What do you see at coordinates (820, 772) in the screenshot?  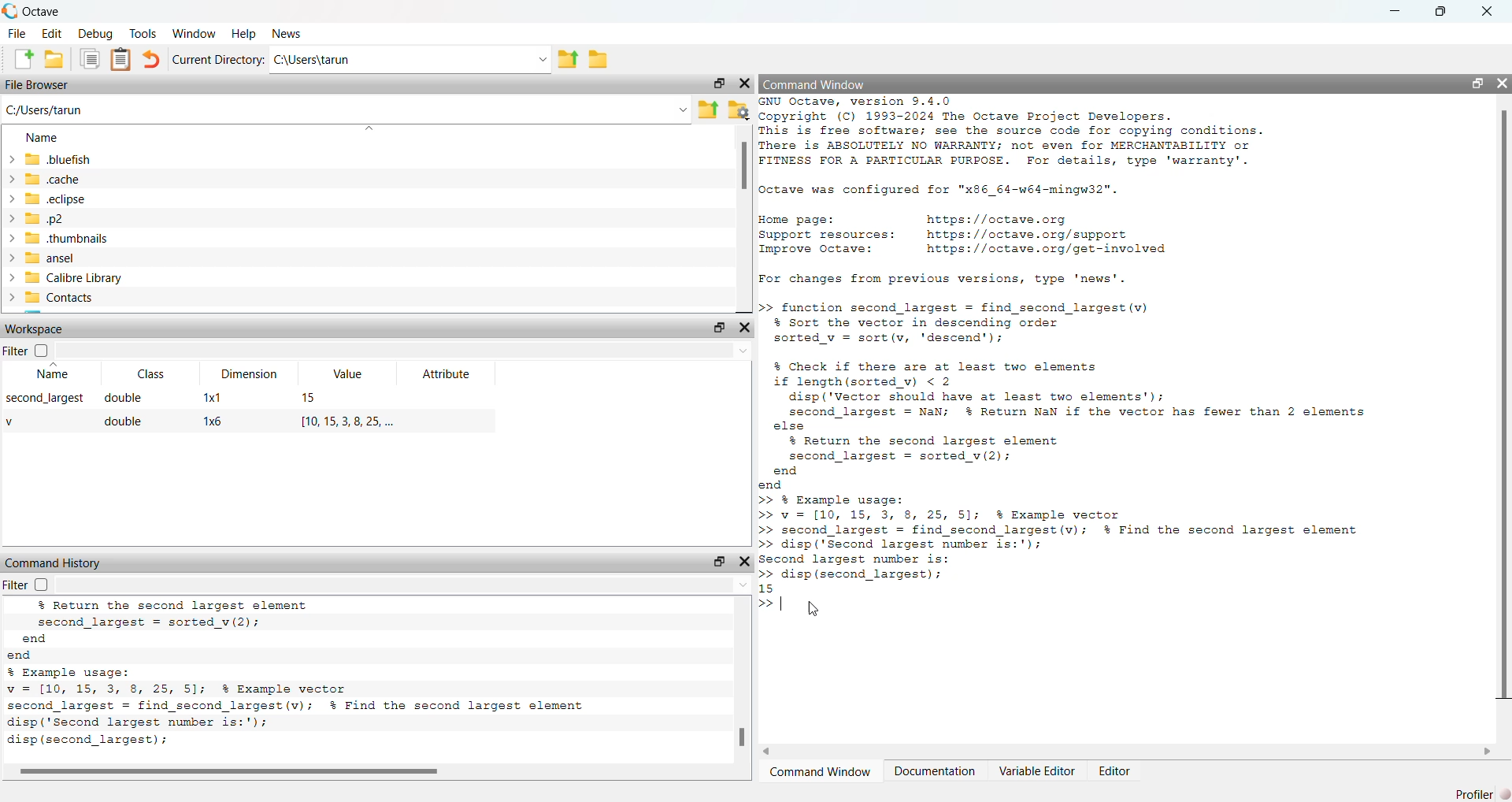 I see `command window` at bounding box center [820, 772].